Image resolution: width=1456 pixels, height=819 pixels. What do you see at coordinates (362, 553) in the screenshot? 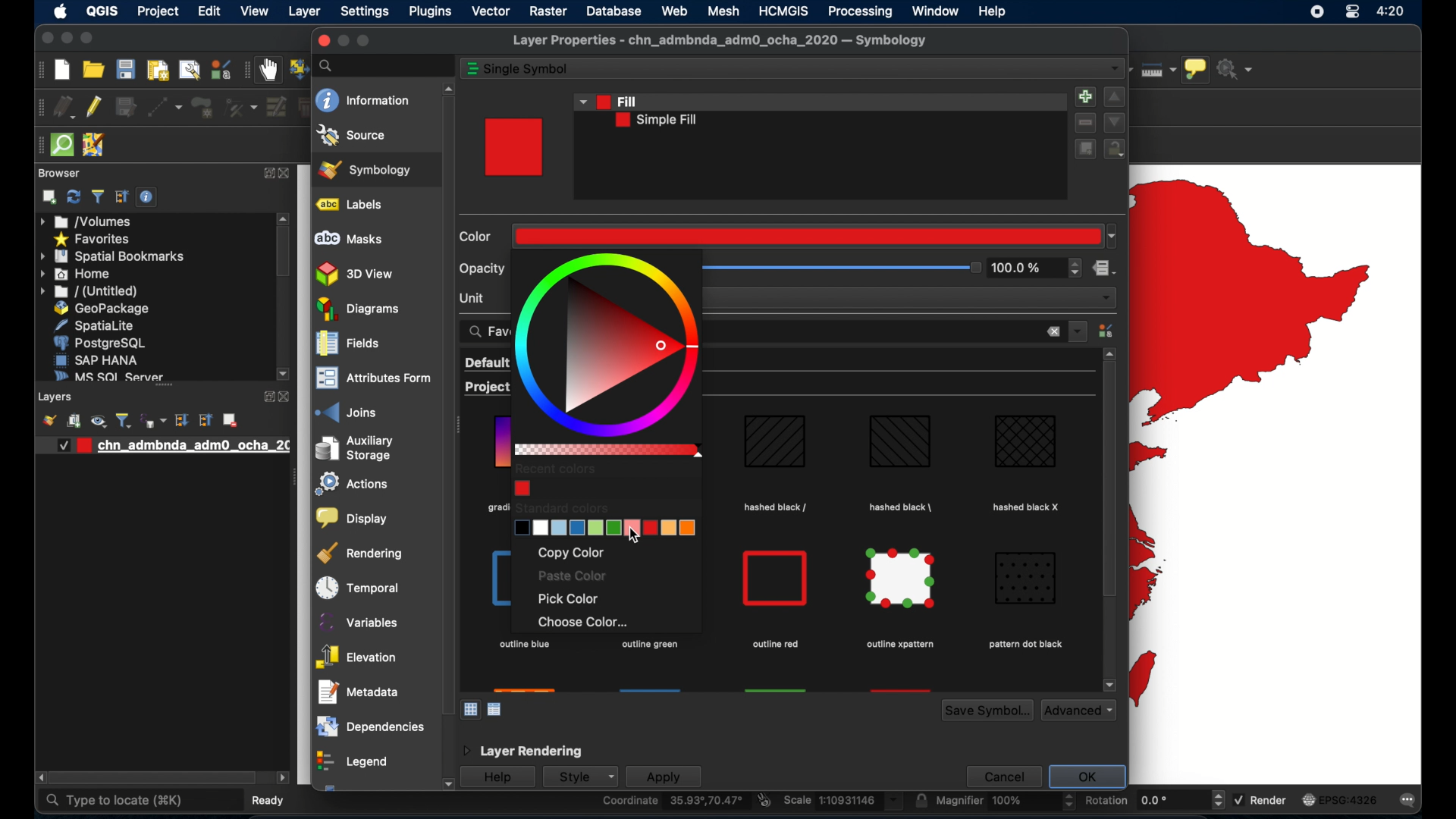
I see `rendering` at bounding box center [362, 553].